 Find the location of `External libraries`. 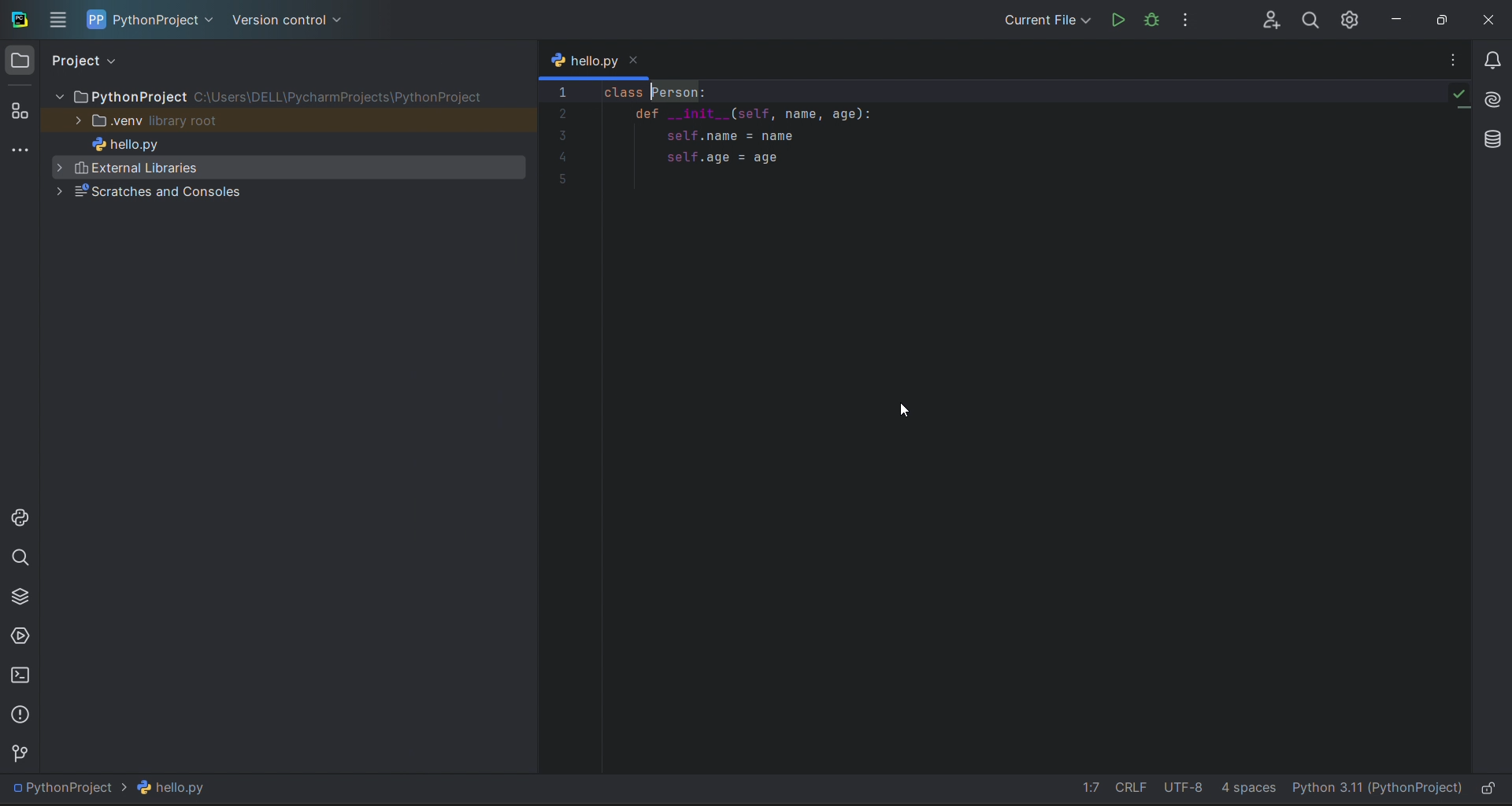

External libraries is located at coordinates (285, 168).